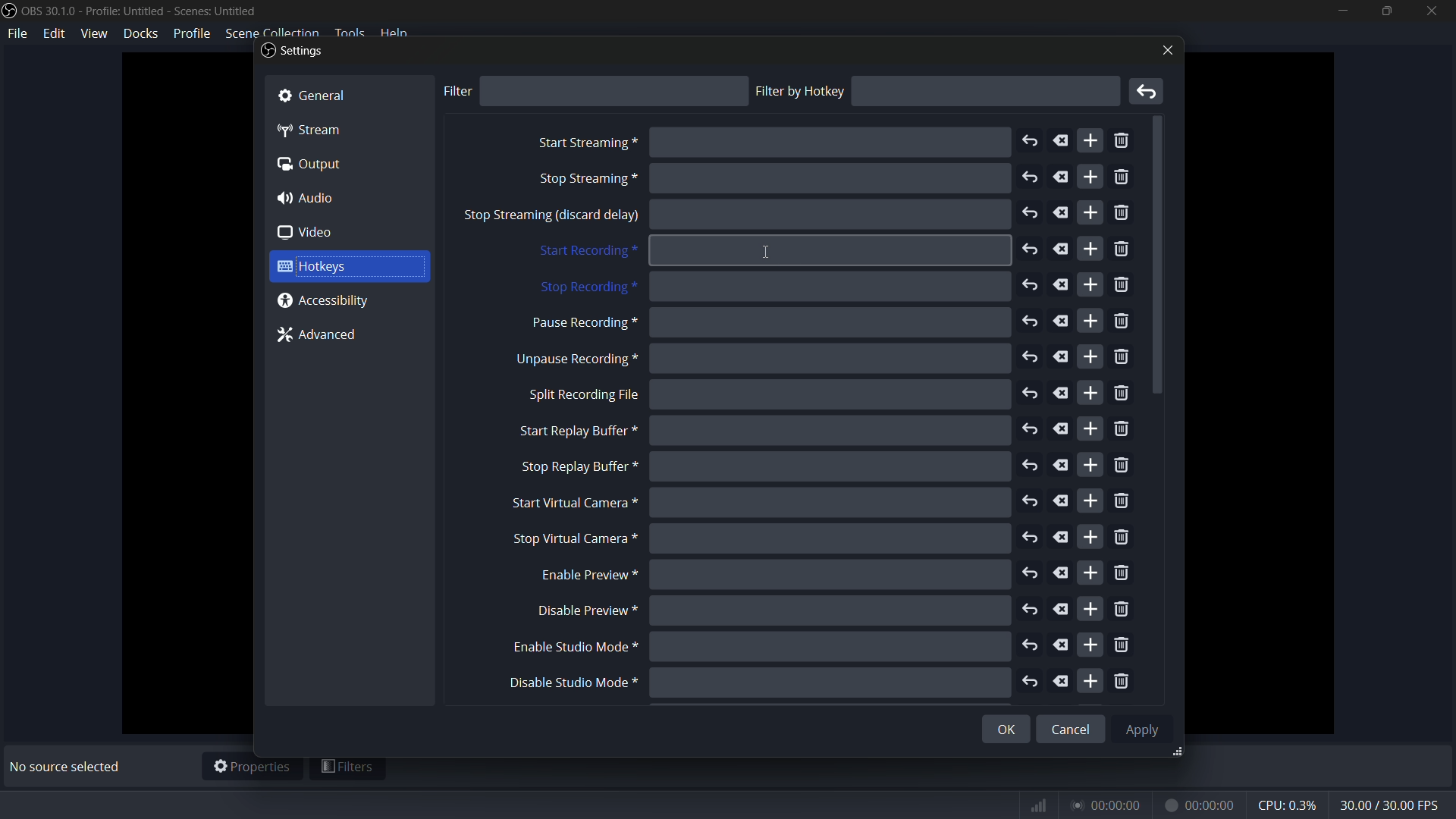  I want to click on enable studio mode, so click(571, 648).